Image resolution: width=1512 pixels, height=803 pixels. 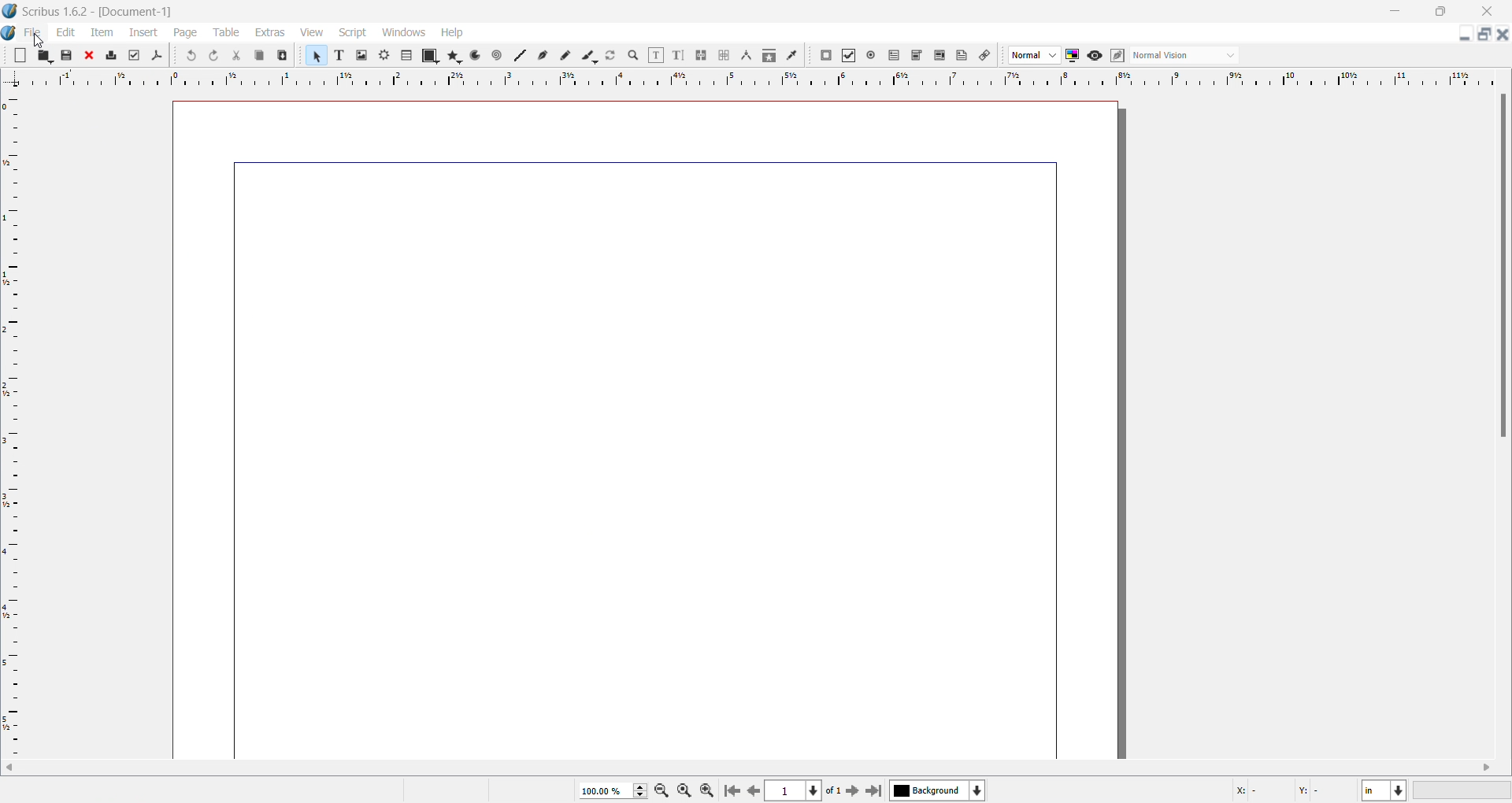 I want to click on icon, so click(x=113, y=56).